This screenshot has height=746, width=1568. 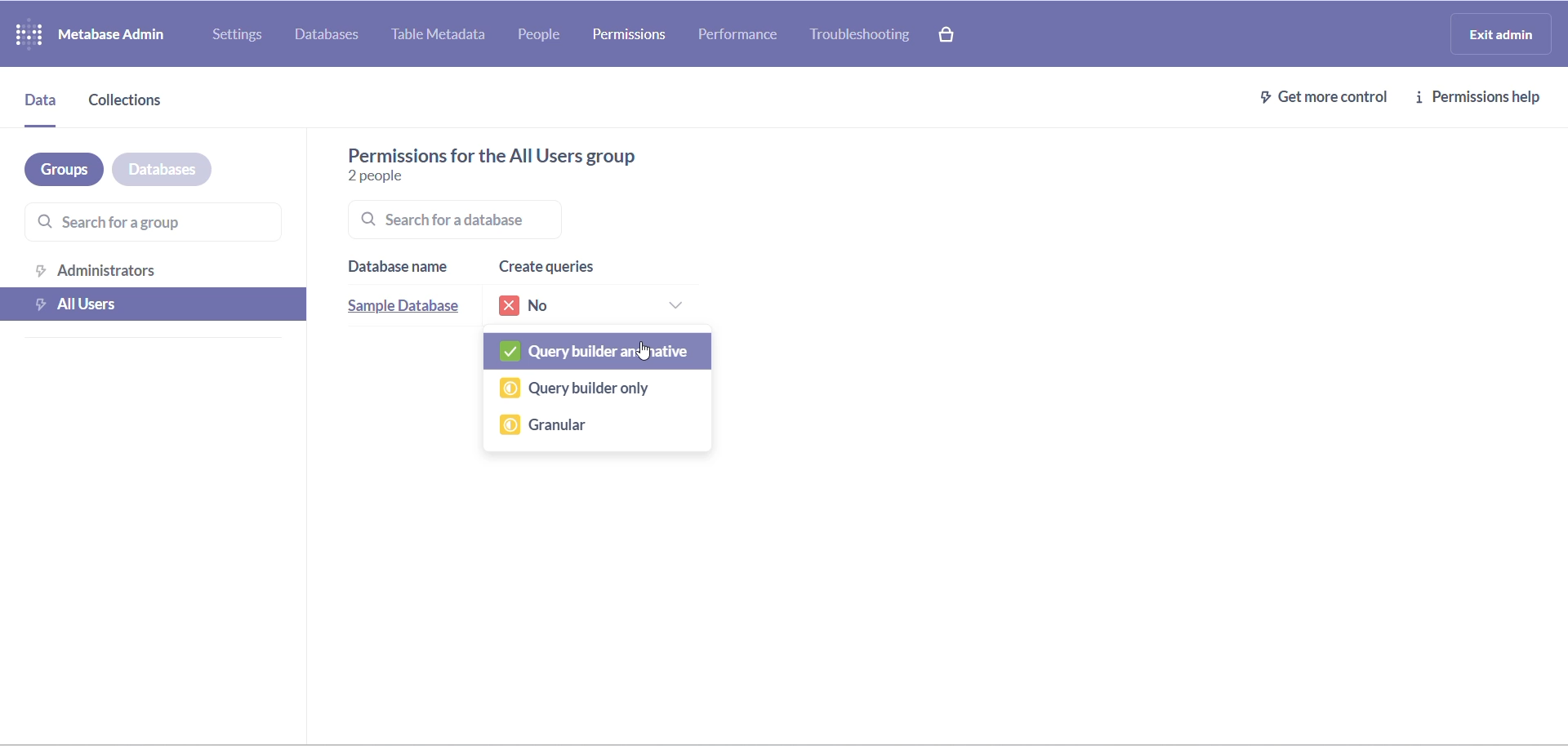 What do you see at coordinates (957, 34) in the screenshot?
I see `paid version` at bounding box center [957, 34].